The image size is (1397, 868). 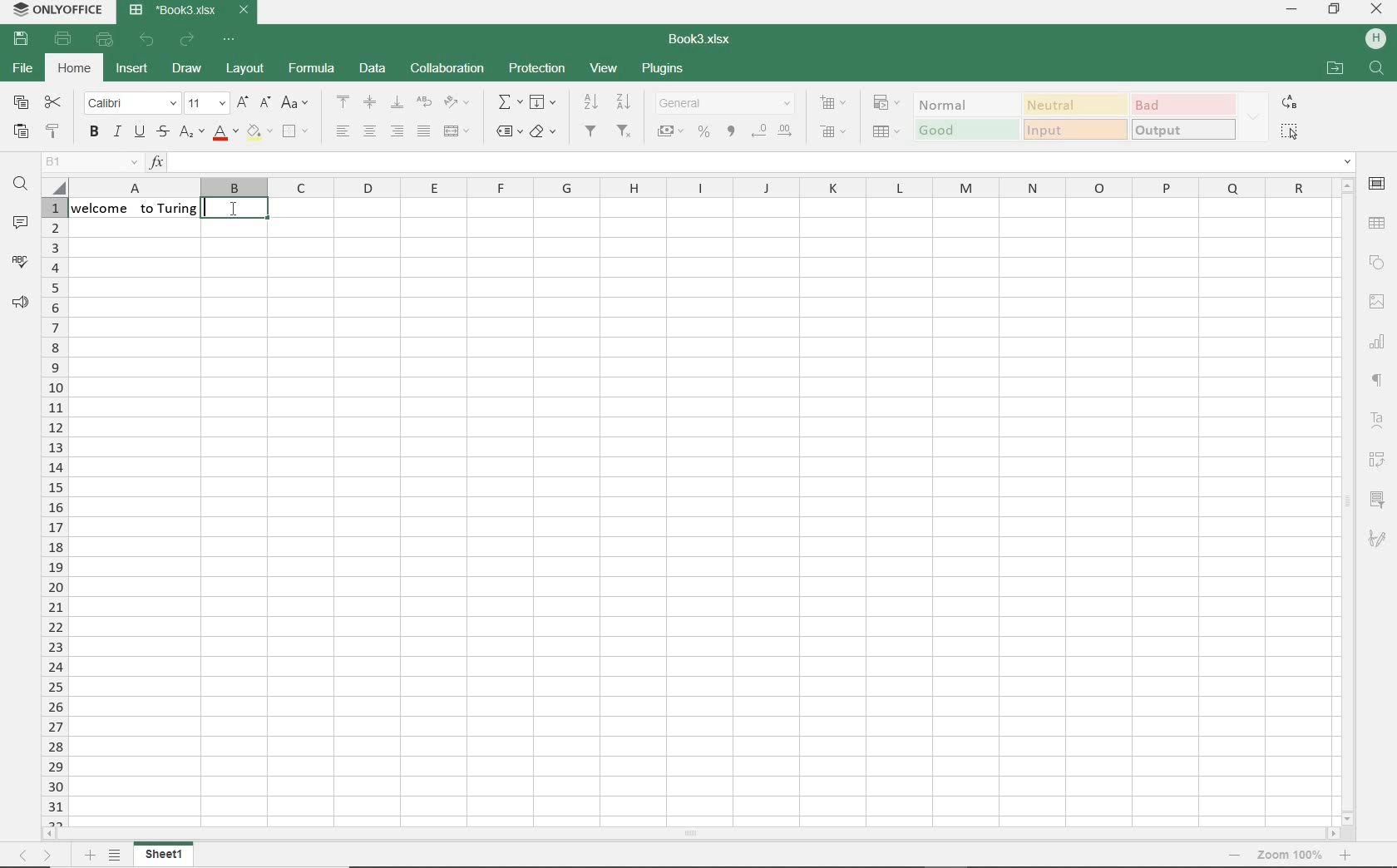 I want to click on move across sheets, so click(x=33, y=854).